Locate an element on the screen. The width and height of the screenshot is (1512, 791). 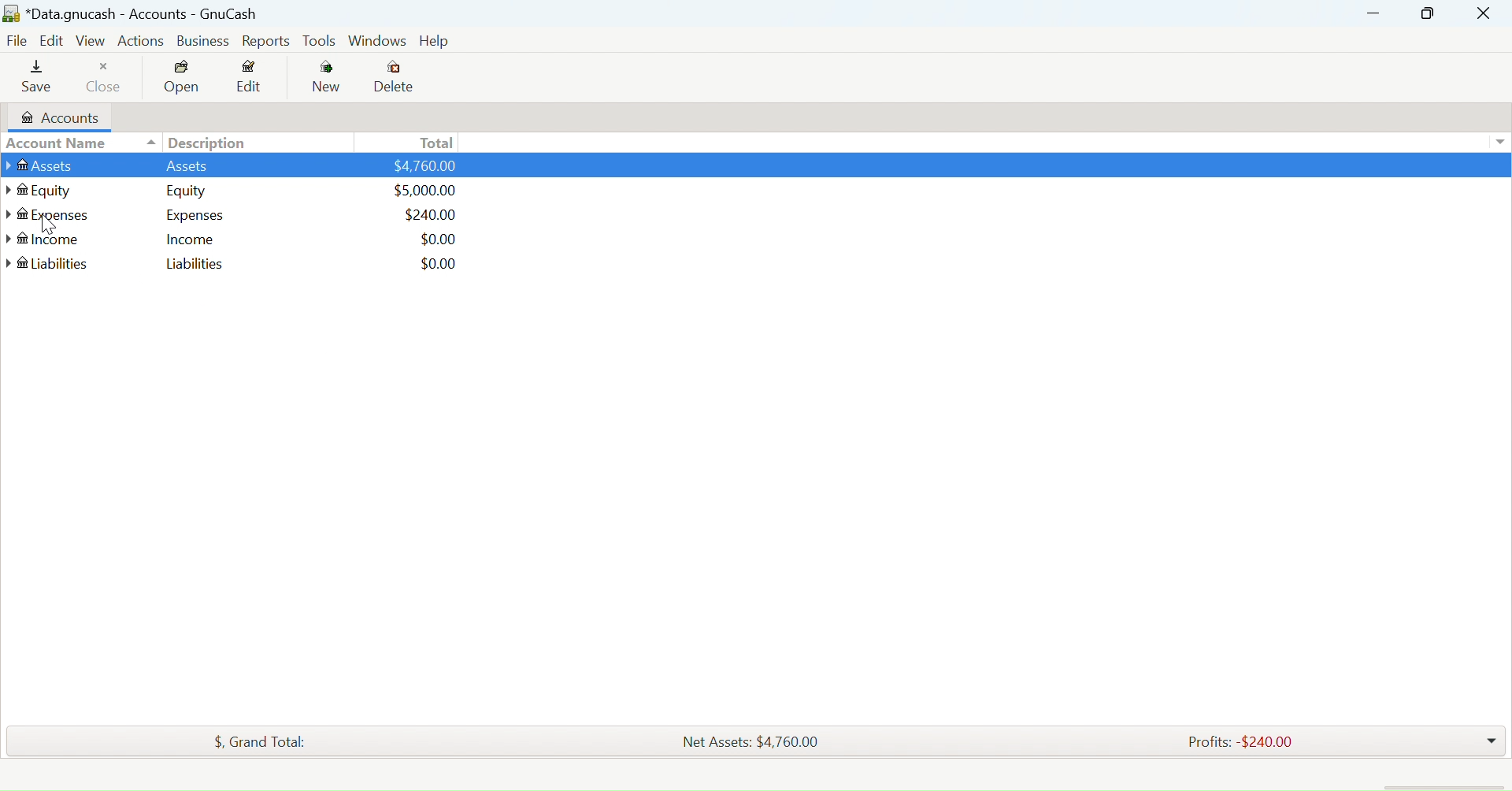
Close Window is located at coordinates (1484, 13).